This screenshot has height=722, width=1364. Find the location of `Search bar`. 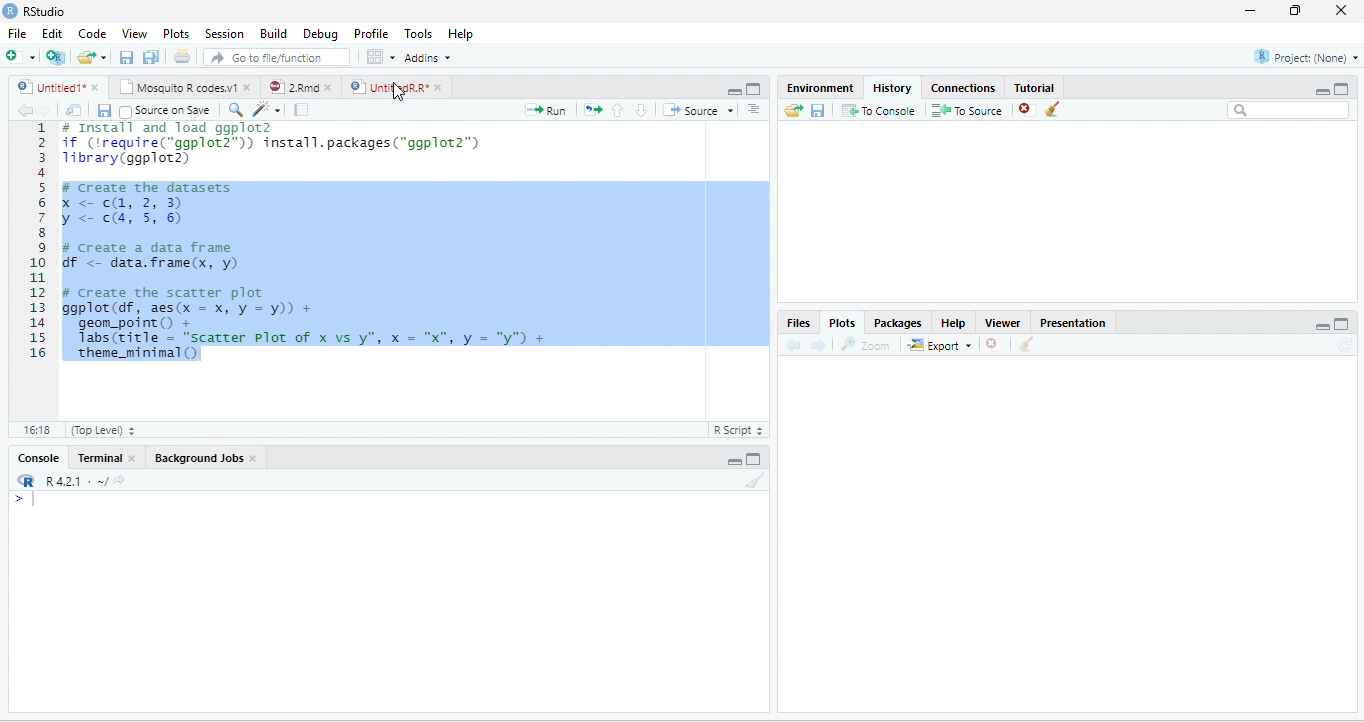

Search bar is located at coordinates (1288, 111).